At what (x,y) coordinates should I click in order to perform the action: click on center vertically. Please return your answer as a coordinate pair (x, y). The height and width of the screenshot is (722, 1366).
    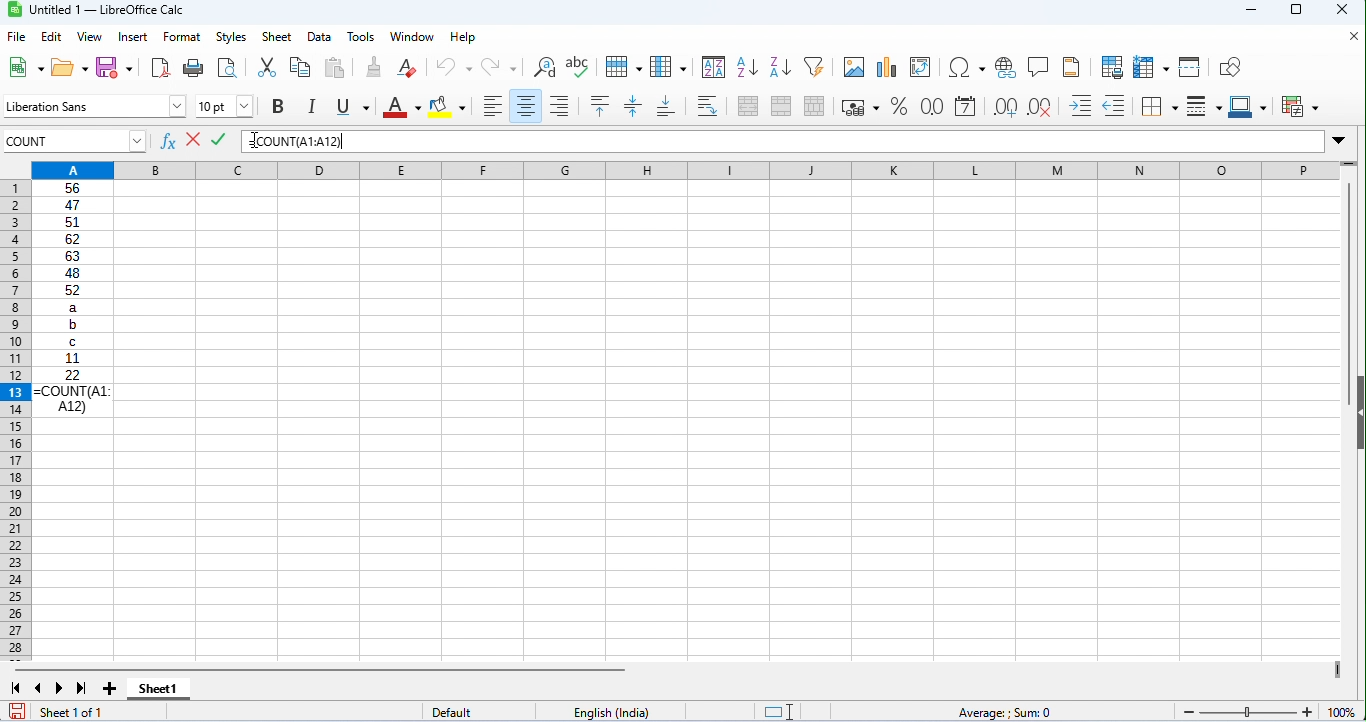
    Looking at the image, I should click on (633, 106).